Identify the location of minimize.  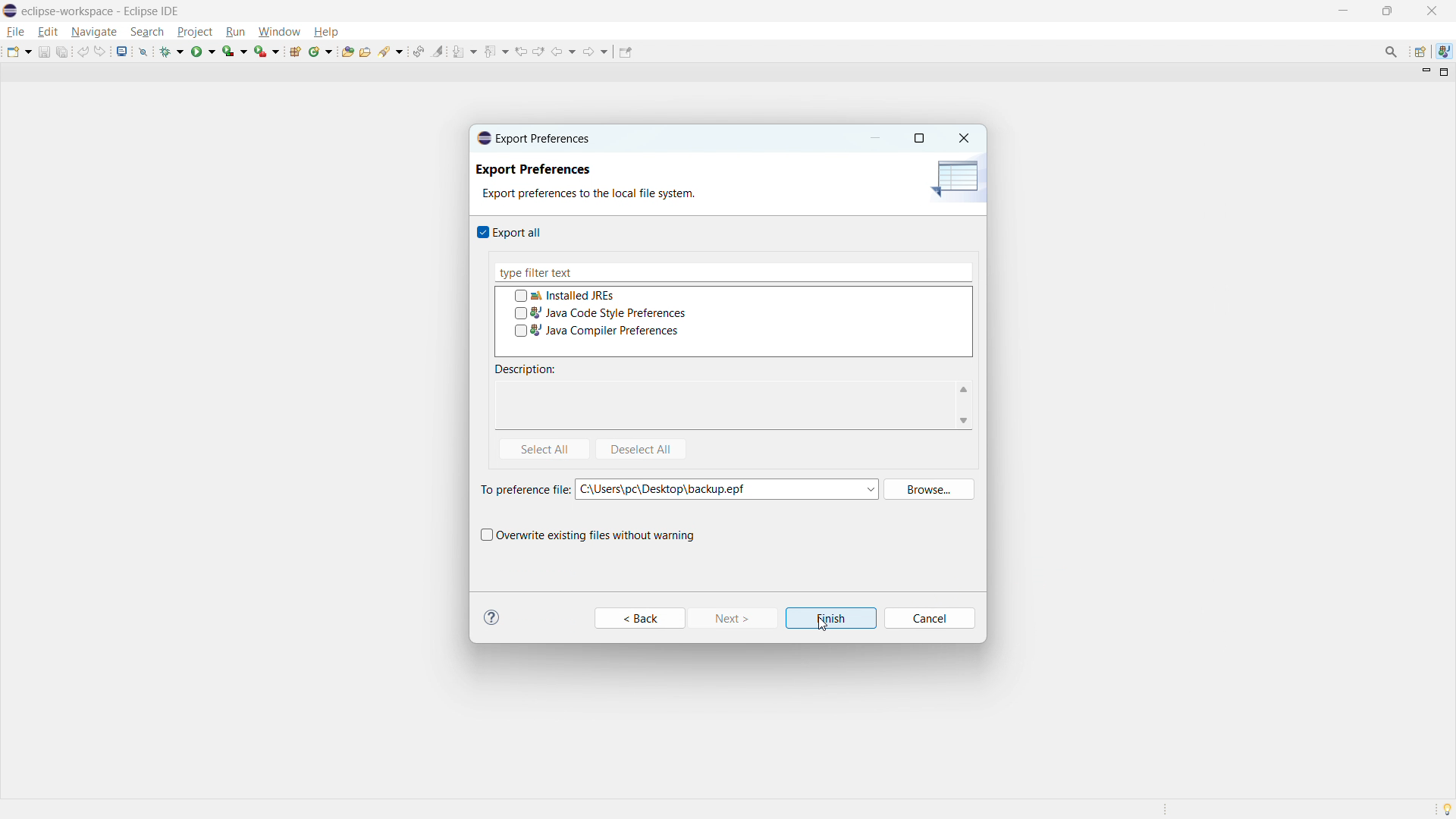
(875, 136).